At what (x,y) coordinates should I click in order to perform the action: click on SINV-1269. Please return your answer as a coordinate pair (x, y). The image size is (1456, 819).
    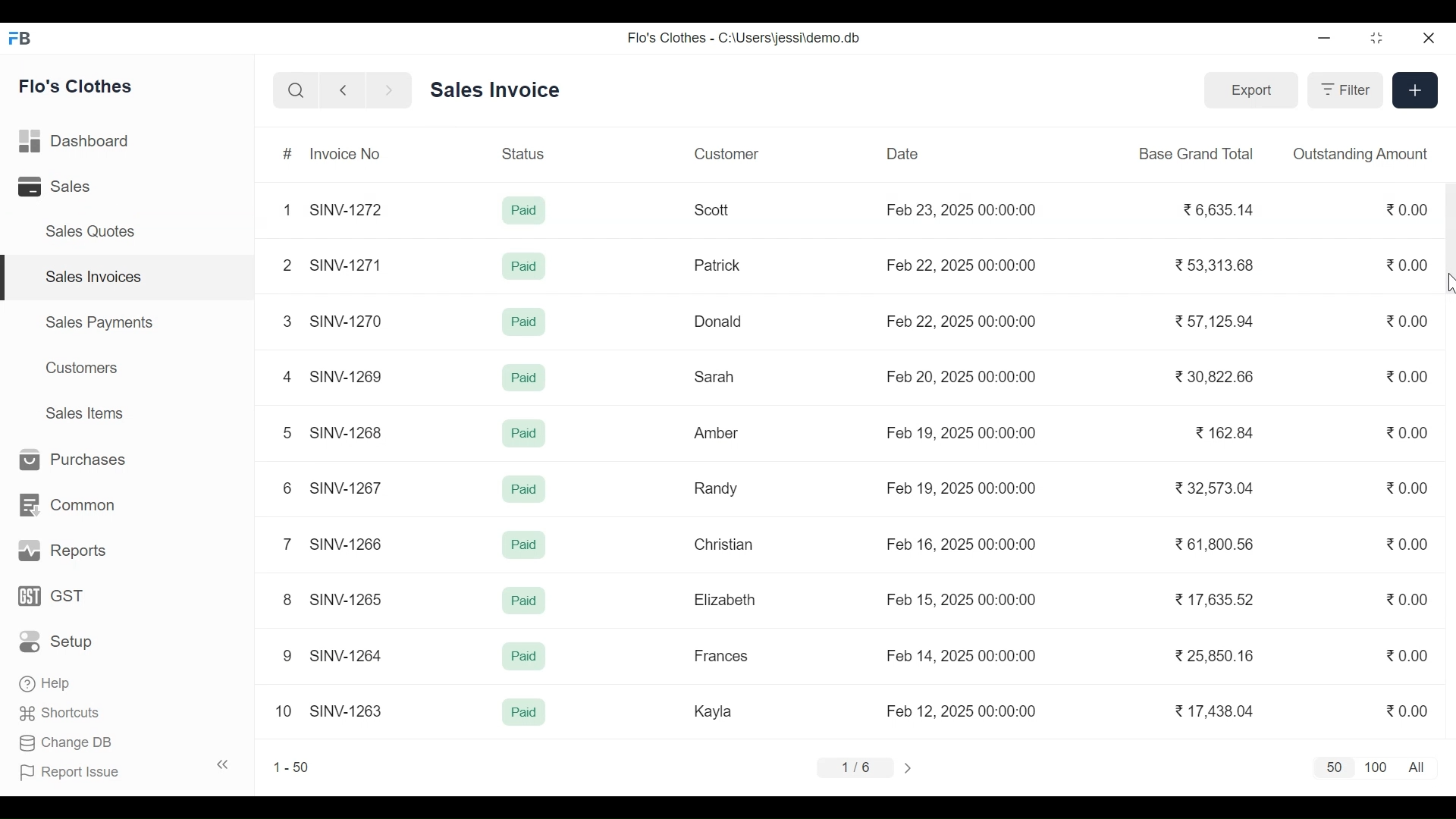
    Looking at the image, I should click on (347, 376).